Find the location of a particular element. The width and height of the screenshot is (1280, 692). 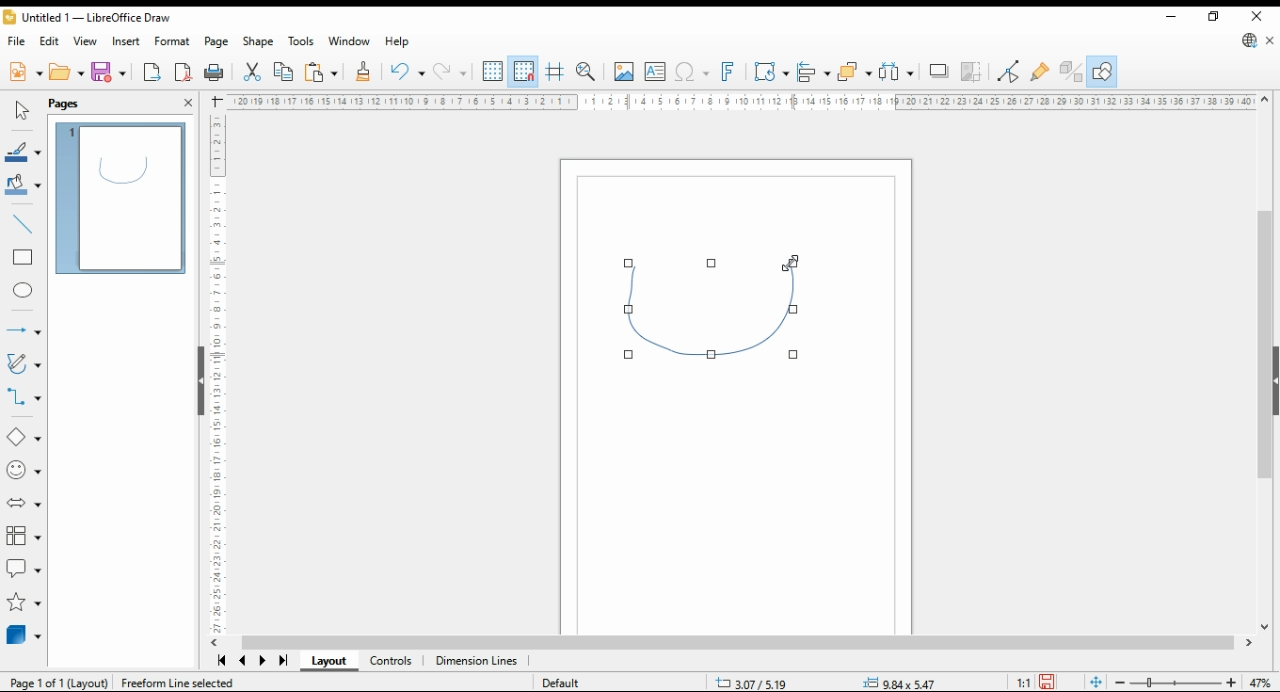

ellipse is located at coordinates (24, 292).